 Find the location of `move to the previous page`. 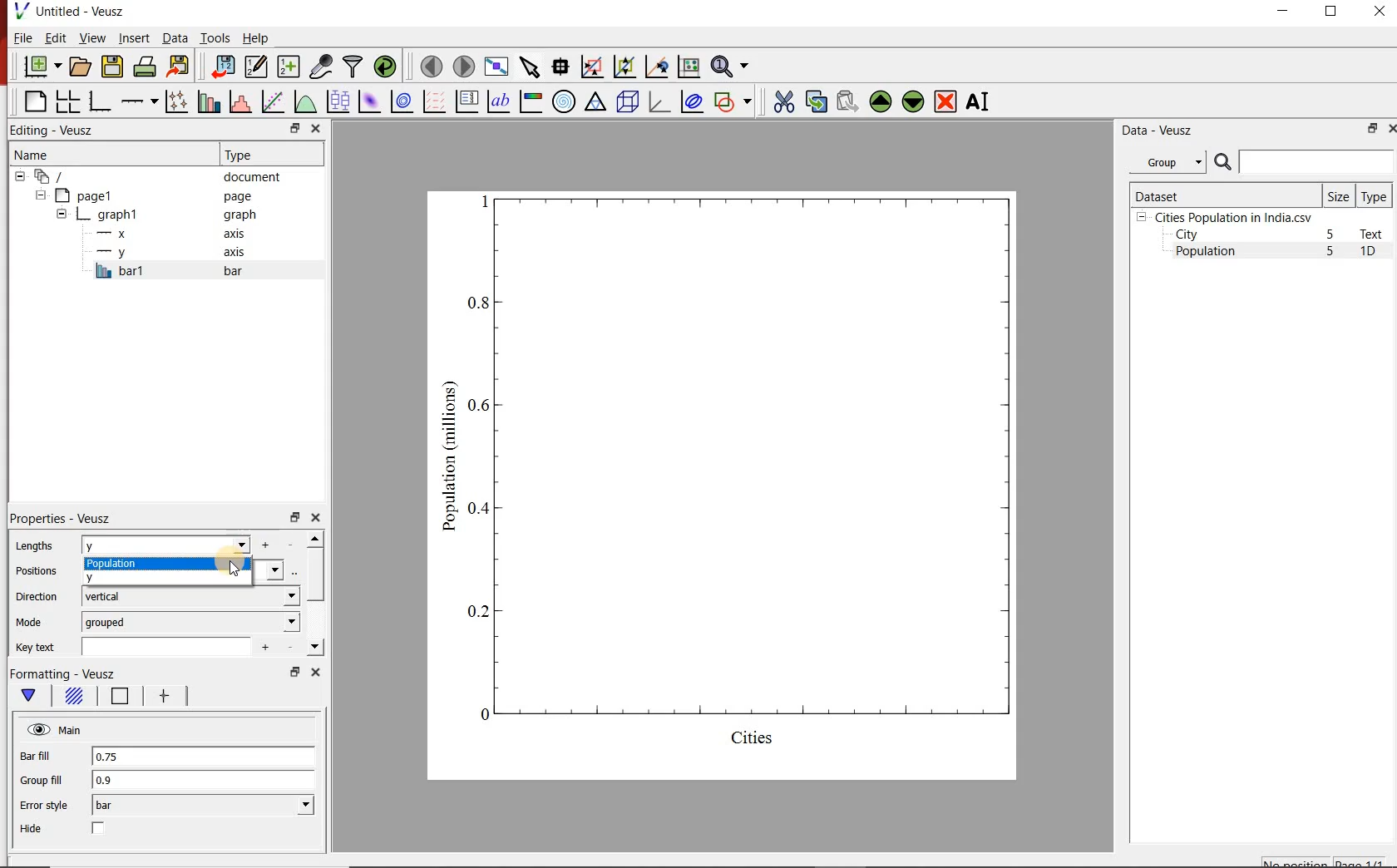

move to the previous page is located at coordinates (429, 65).